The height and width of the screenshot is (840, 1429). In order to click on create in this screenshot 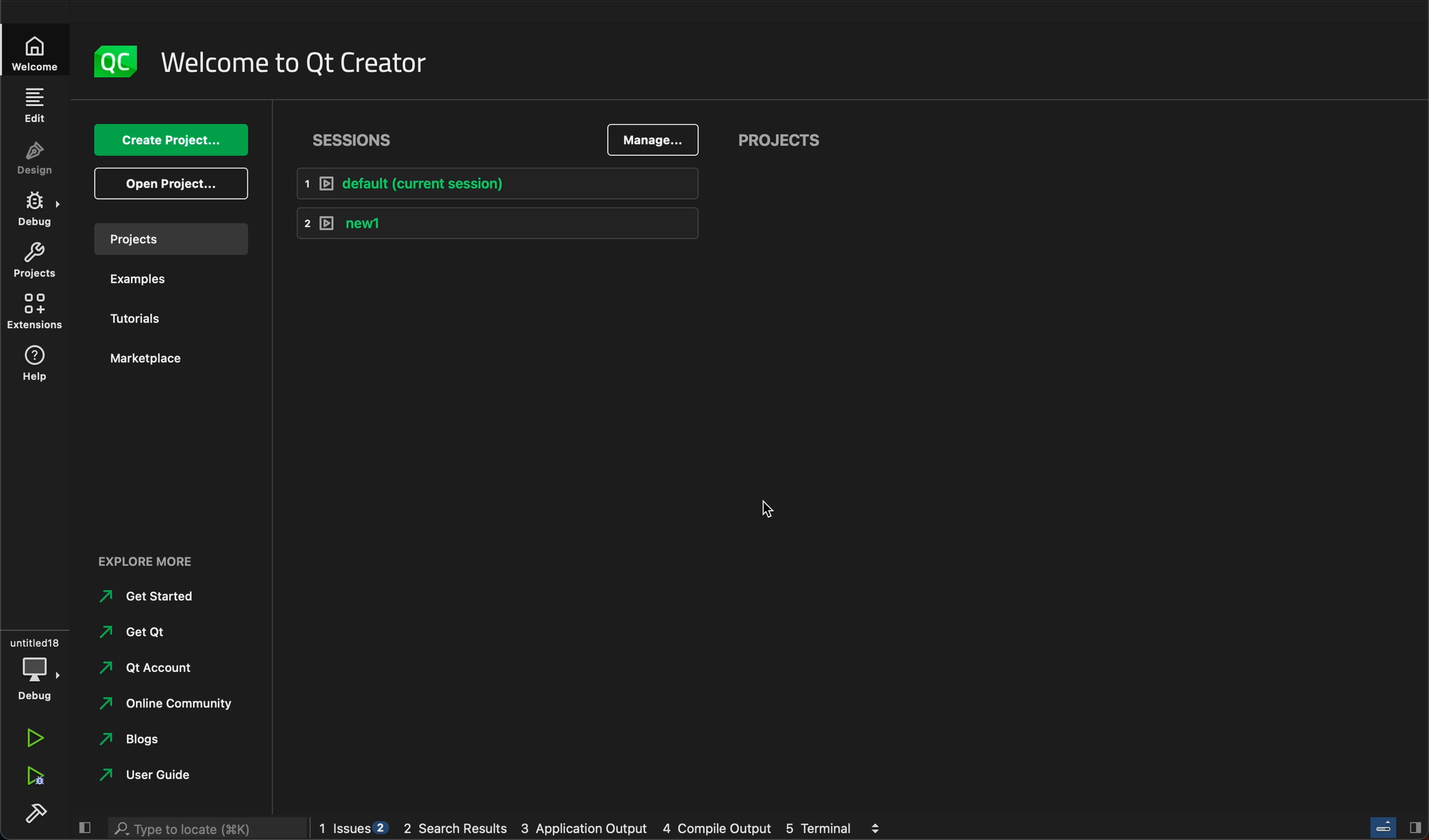, I will do `click(175, 142)`.